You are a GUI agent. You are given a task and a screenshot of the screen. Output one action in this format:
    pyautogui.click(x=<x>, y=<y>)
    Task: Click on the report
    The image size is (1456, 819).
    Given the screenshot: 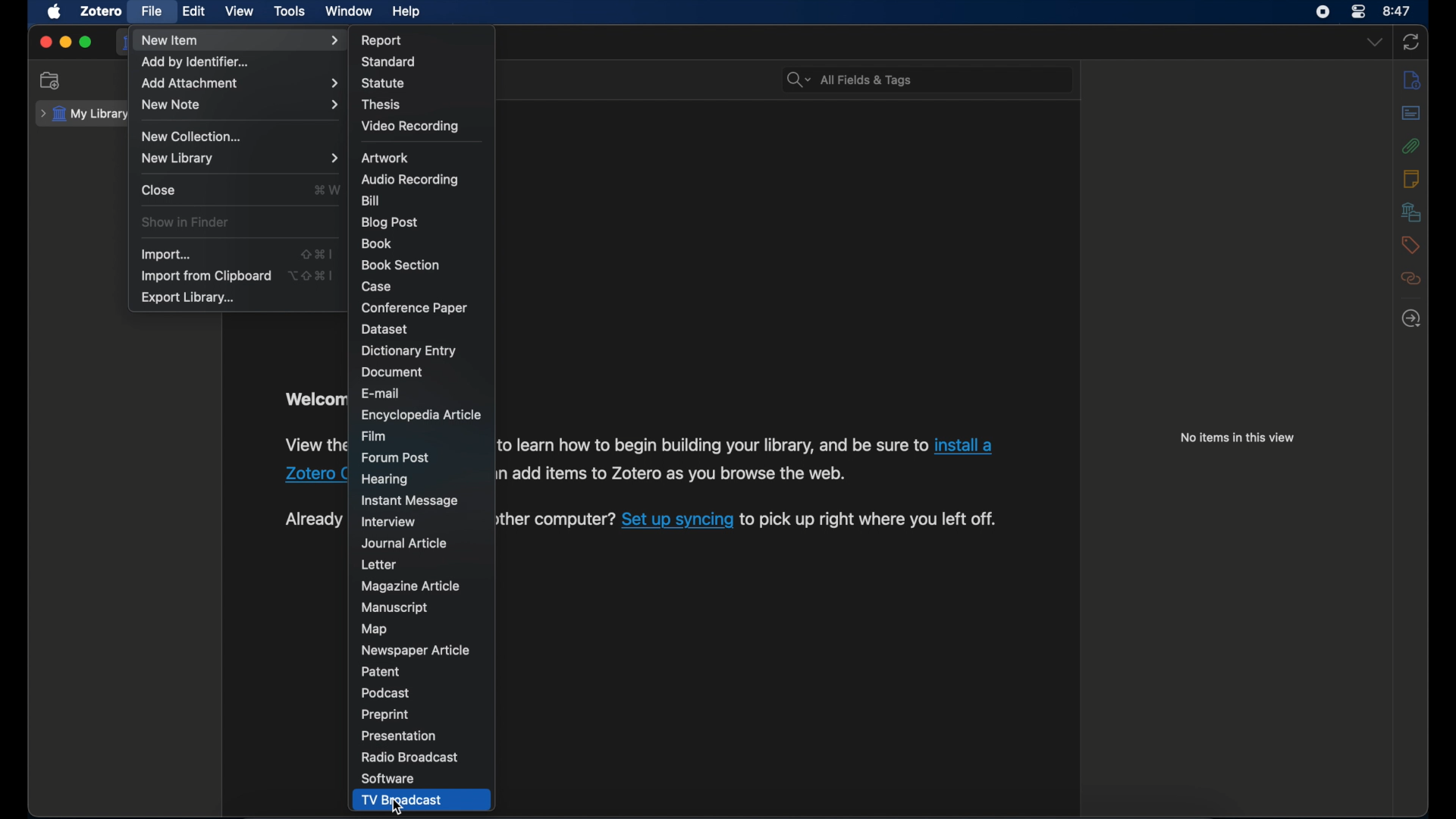 What is the action you would take?
    pyautogui.click(x=383, y=40)
    